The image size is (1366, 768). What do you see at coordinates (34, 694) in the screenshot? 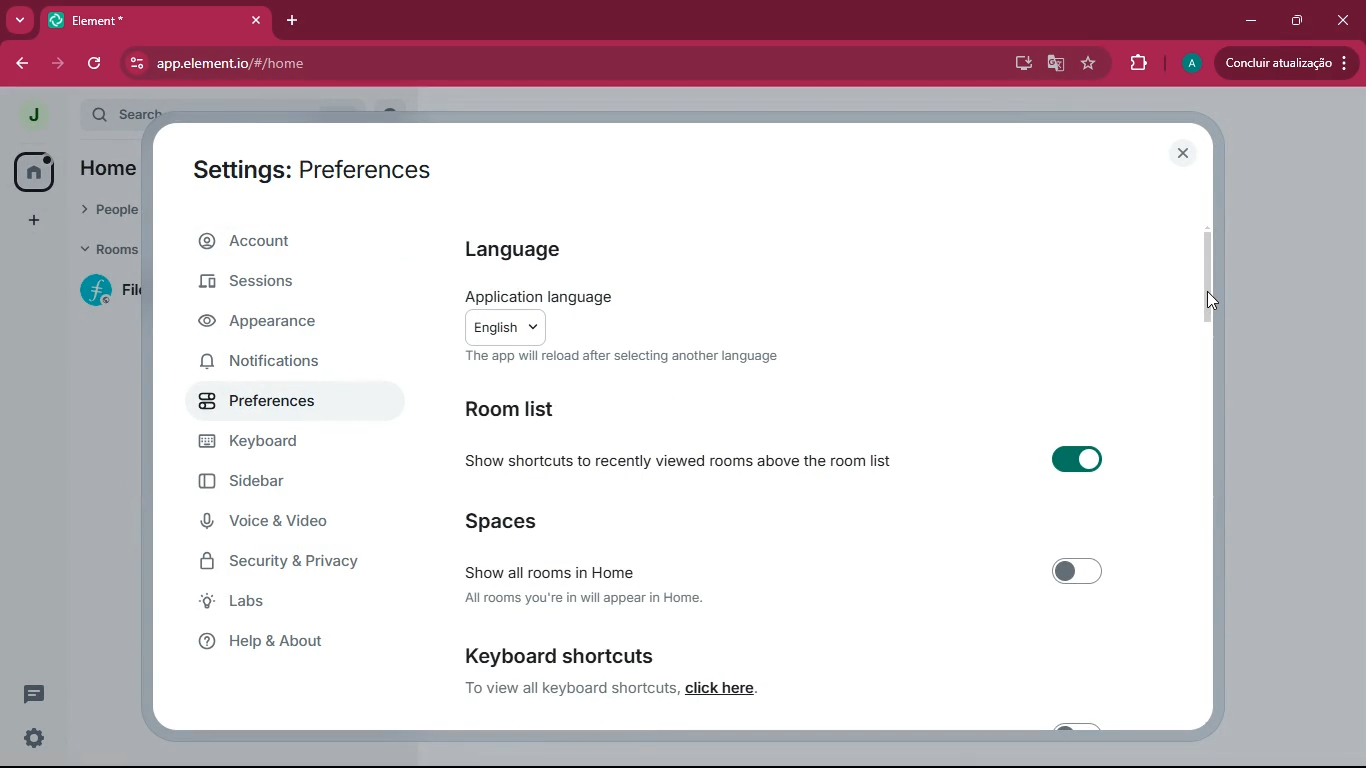
I see `threads` at bounding box center [34, 694].